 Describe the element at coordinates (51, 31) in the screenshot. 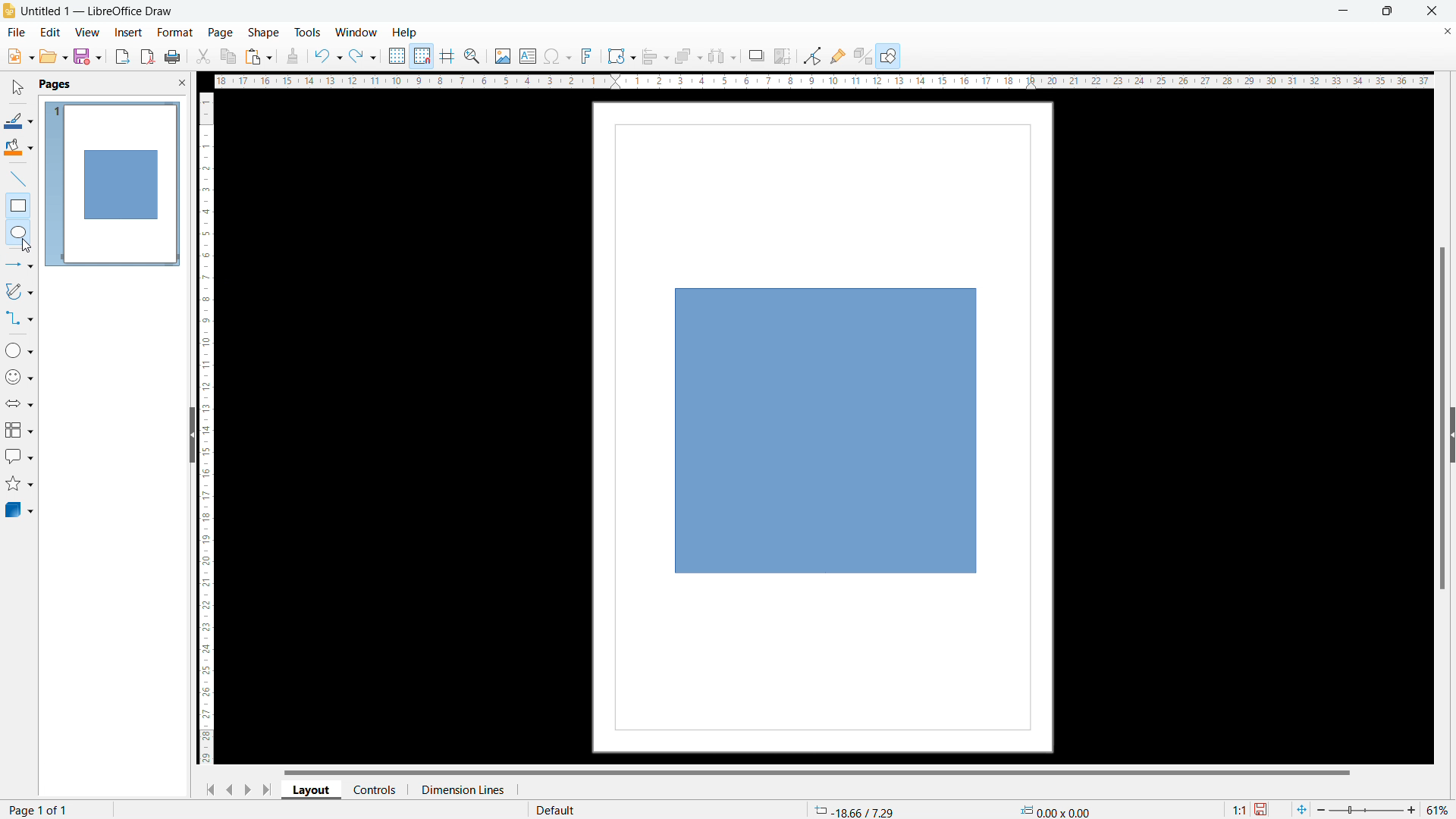

I see `edit` at that location.